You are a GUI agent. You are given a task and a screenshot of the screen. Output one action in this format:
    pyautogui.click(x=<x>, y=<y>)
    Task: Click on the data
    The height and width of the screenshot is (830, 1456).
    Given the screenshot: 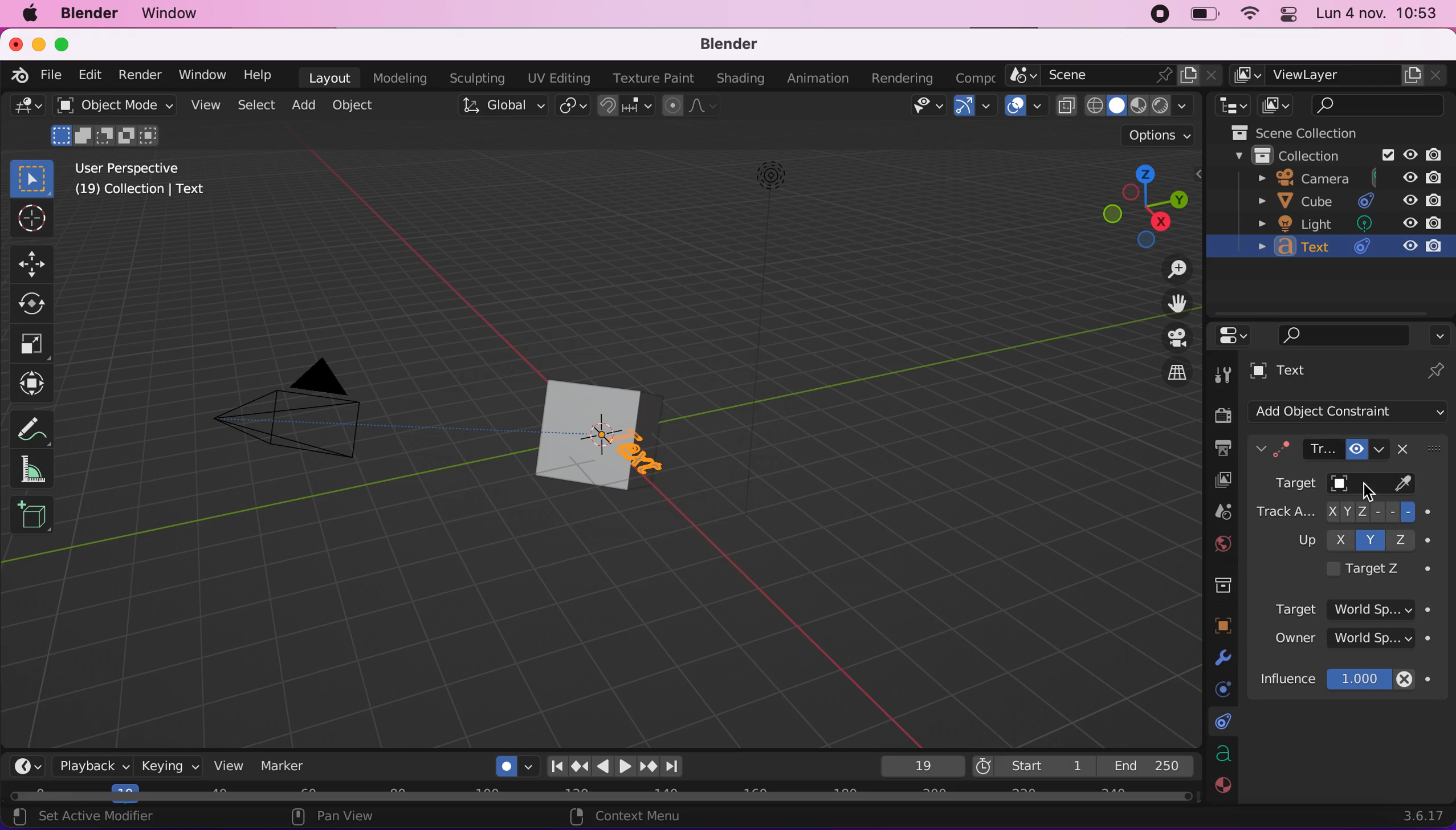 What is the action you would take?
    pyautogui.click(x=1222, y=755)
    